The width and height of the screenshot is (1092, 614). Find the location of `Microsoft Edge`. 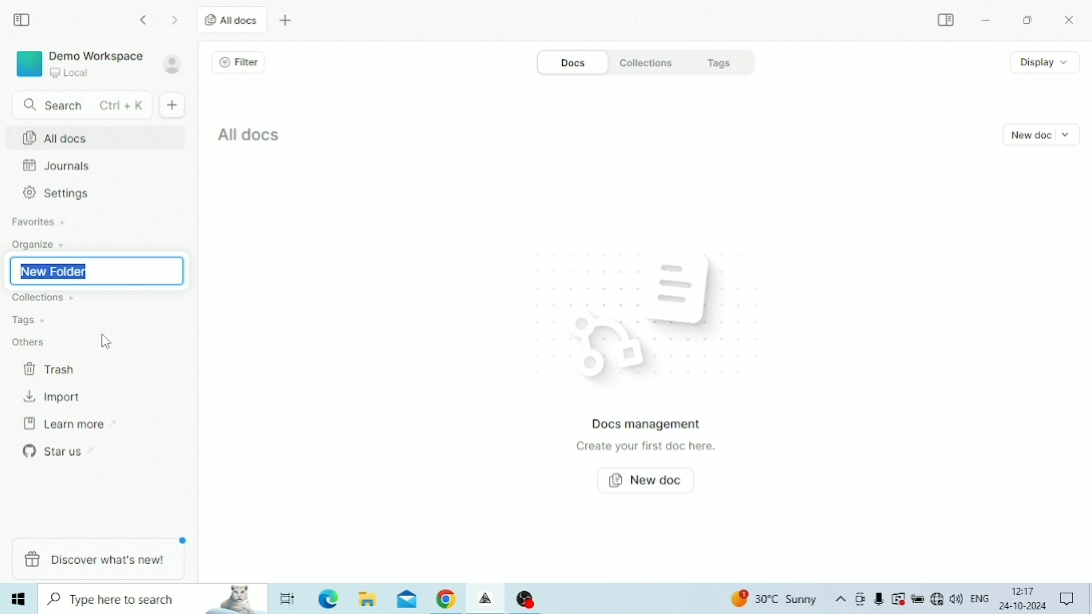

Microsoft Edge is located at coordinates (330, 599).